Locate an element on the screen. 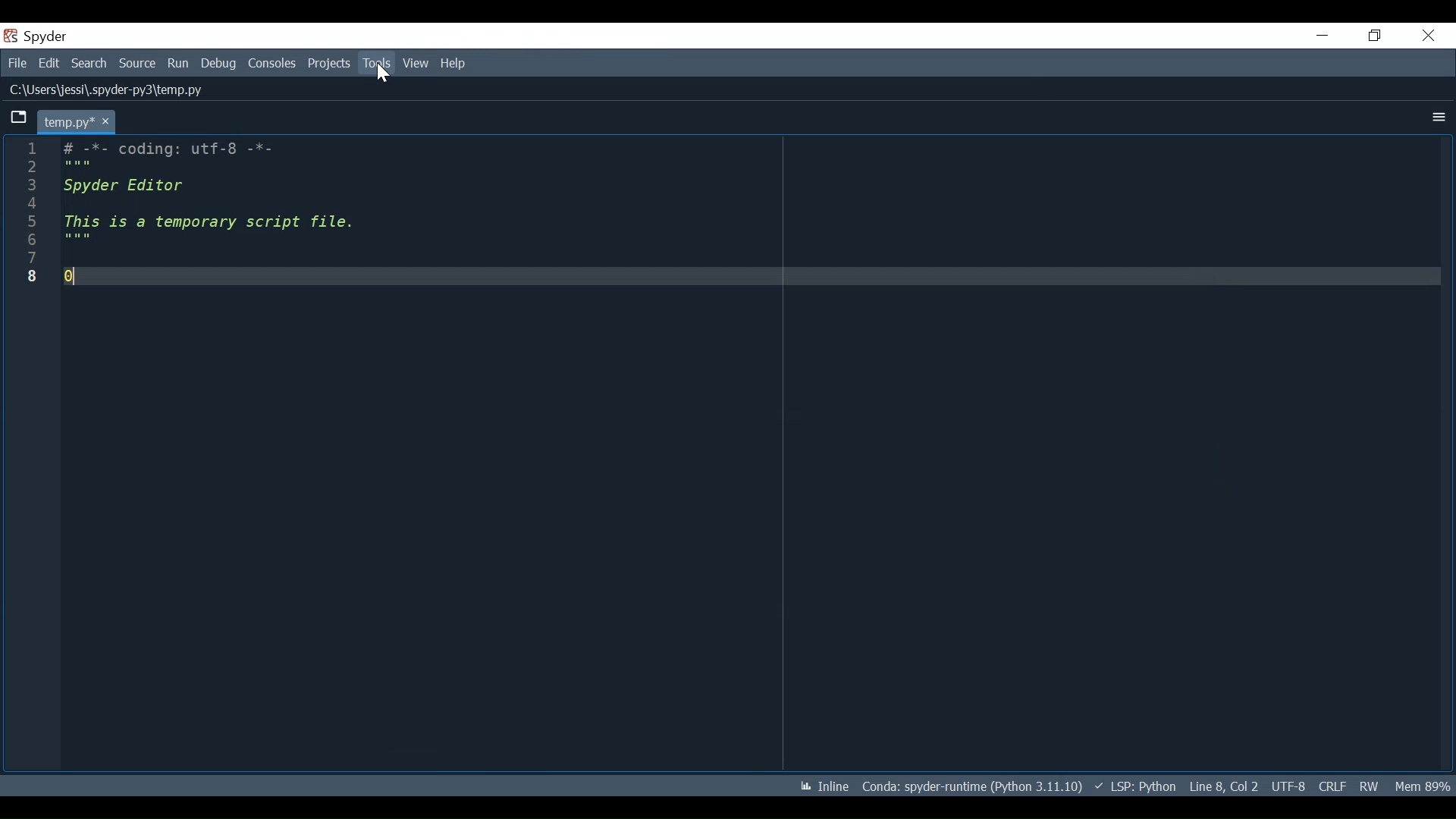 The image size is (1456, 819). File EQL Status is located at coordinates (1334, 786).